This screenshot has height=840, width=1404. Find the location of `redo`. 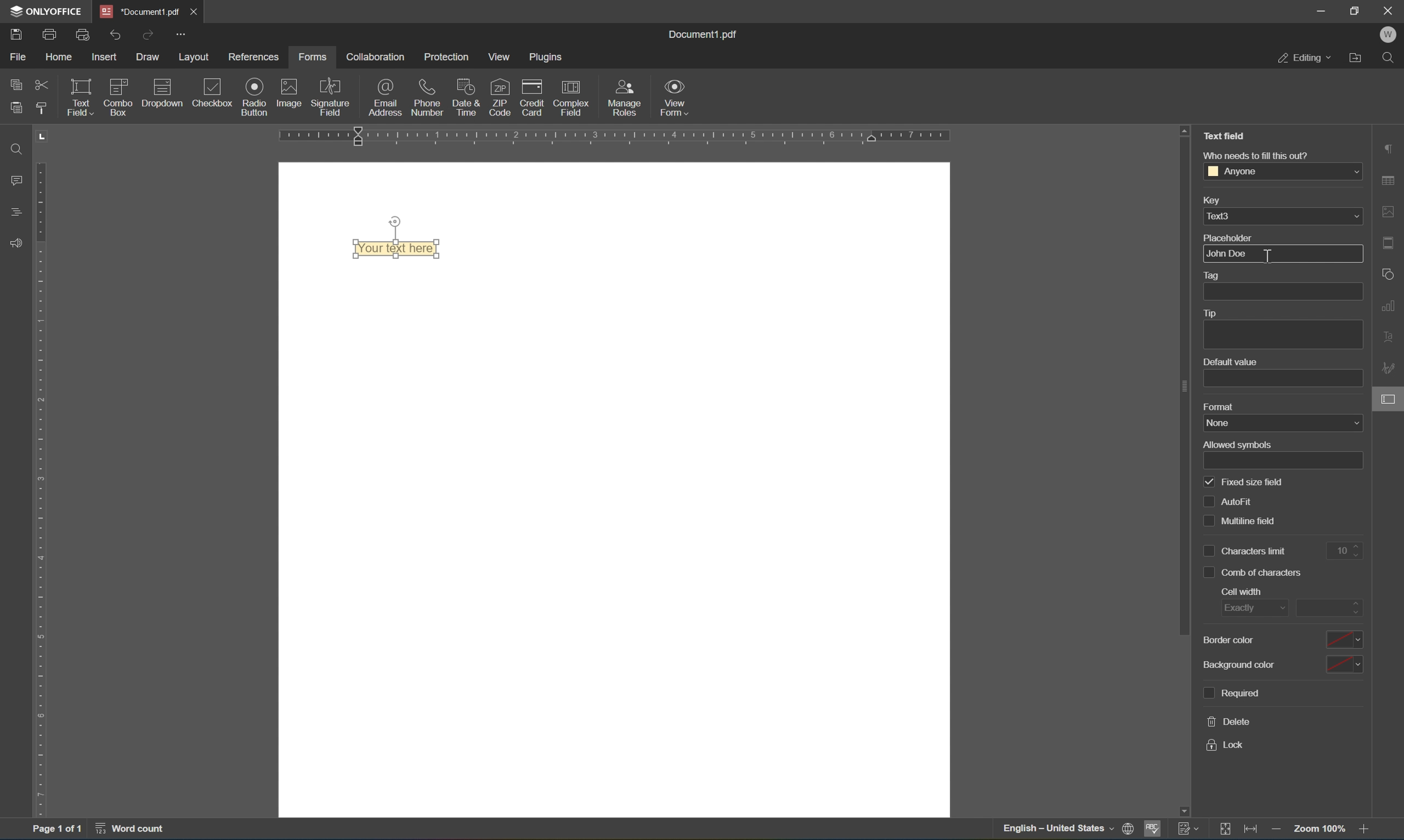

redo is located at coordinates (148, 33).